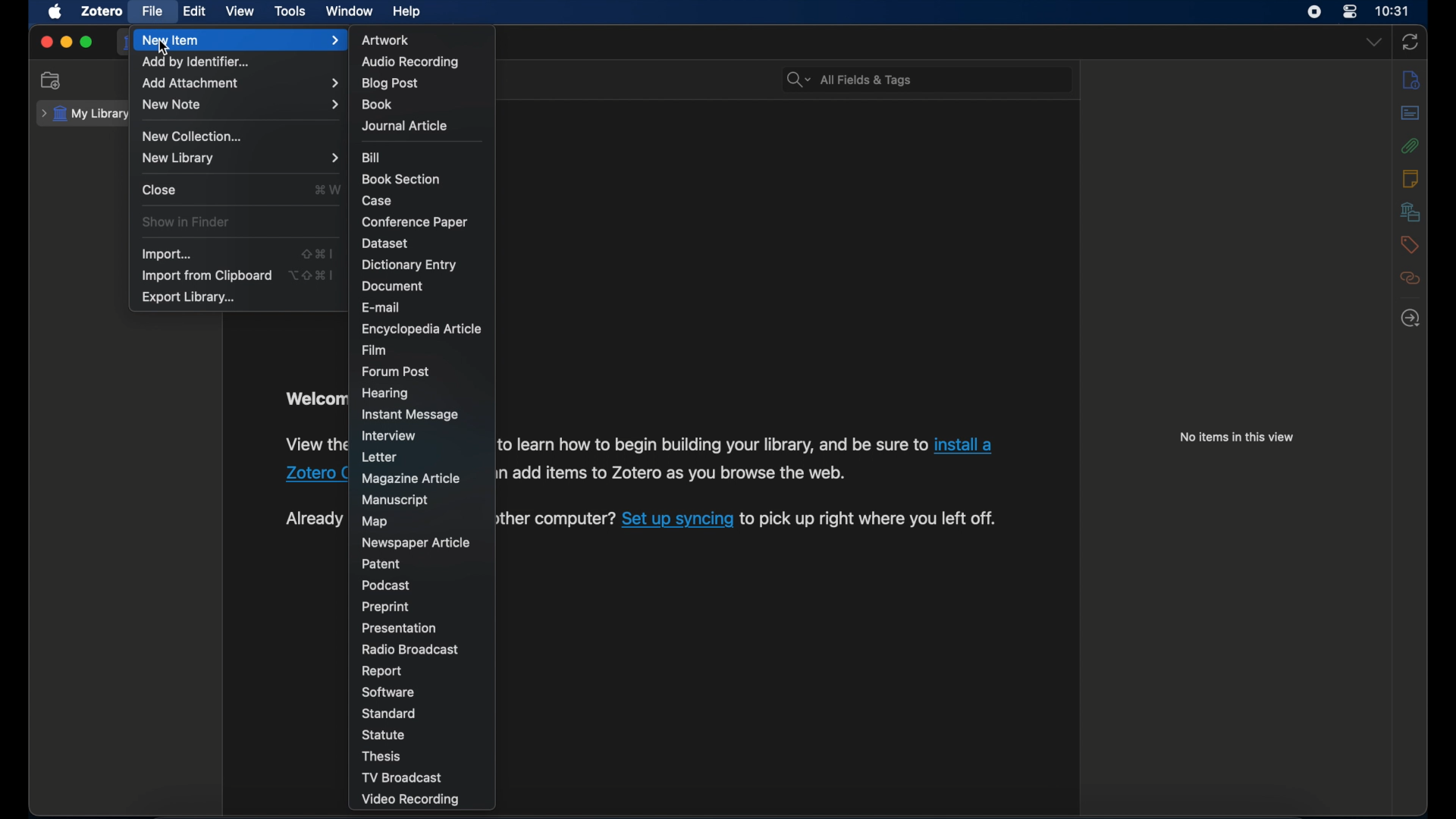  Describe the element at coordinates (391, 83) in the screenshot. I see `blogpost` at that location.